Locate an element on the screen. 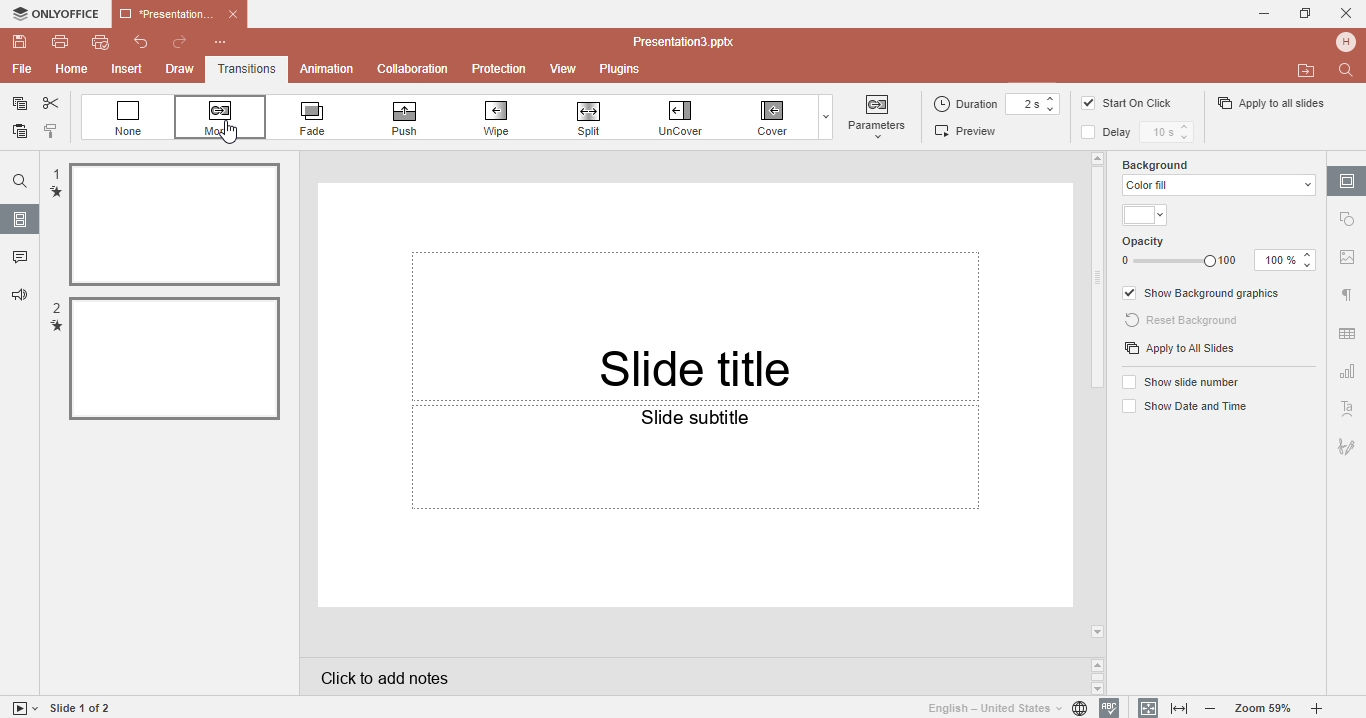  Uncover is located at coordinates (691, 117).